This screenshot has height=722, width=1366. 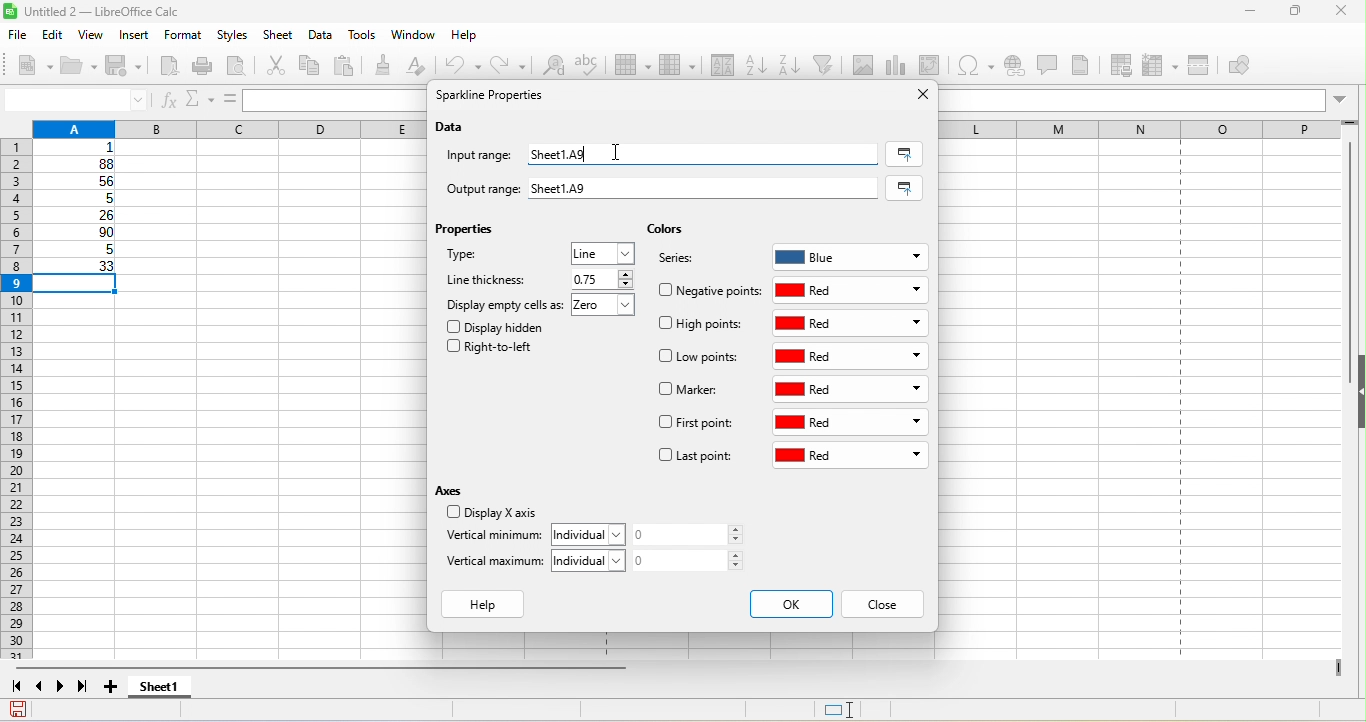 What do you see at coordinates (1342, 13) in the screenshot?
I see `close` at bounding box center [1342, 13].